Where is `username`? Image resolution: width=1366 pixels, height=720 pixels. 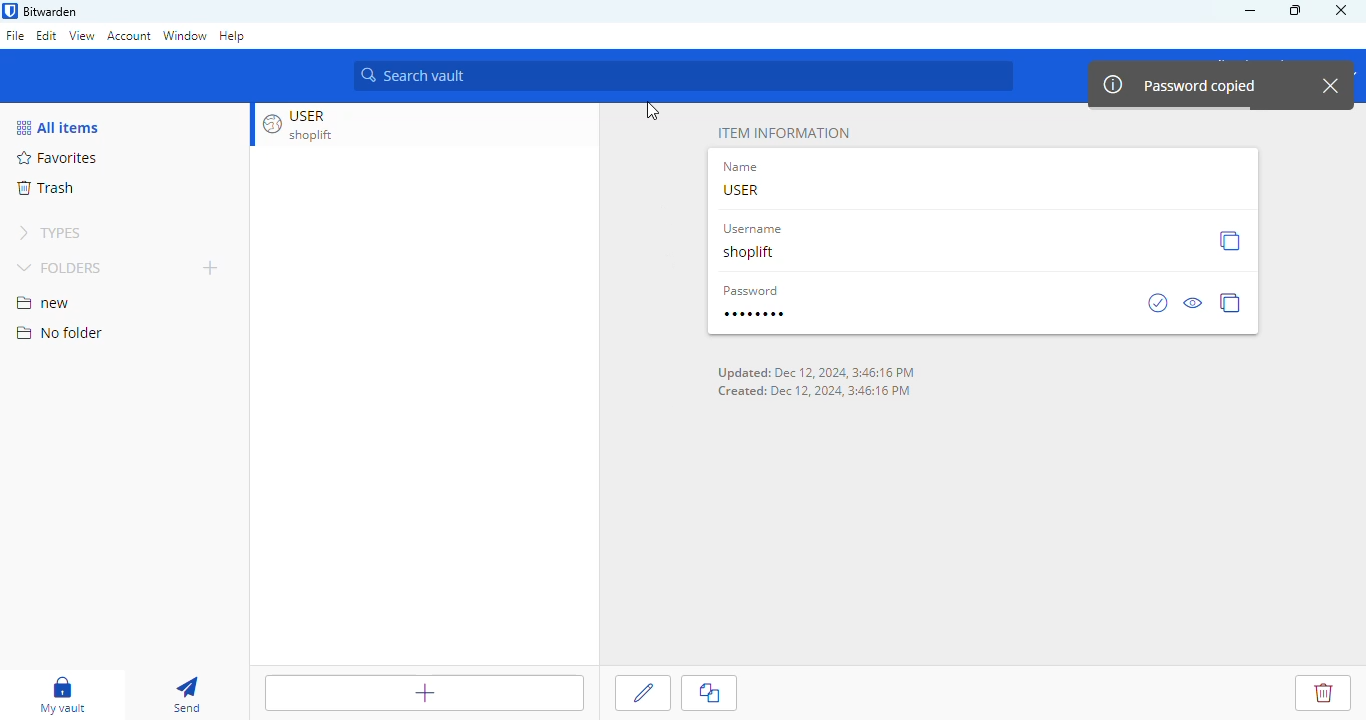 username is located at coordinates (751, 229).